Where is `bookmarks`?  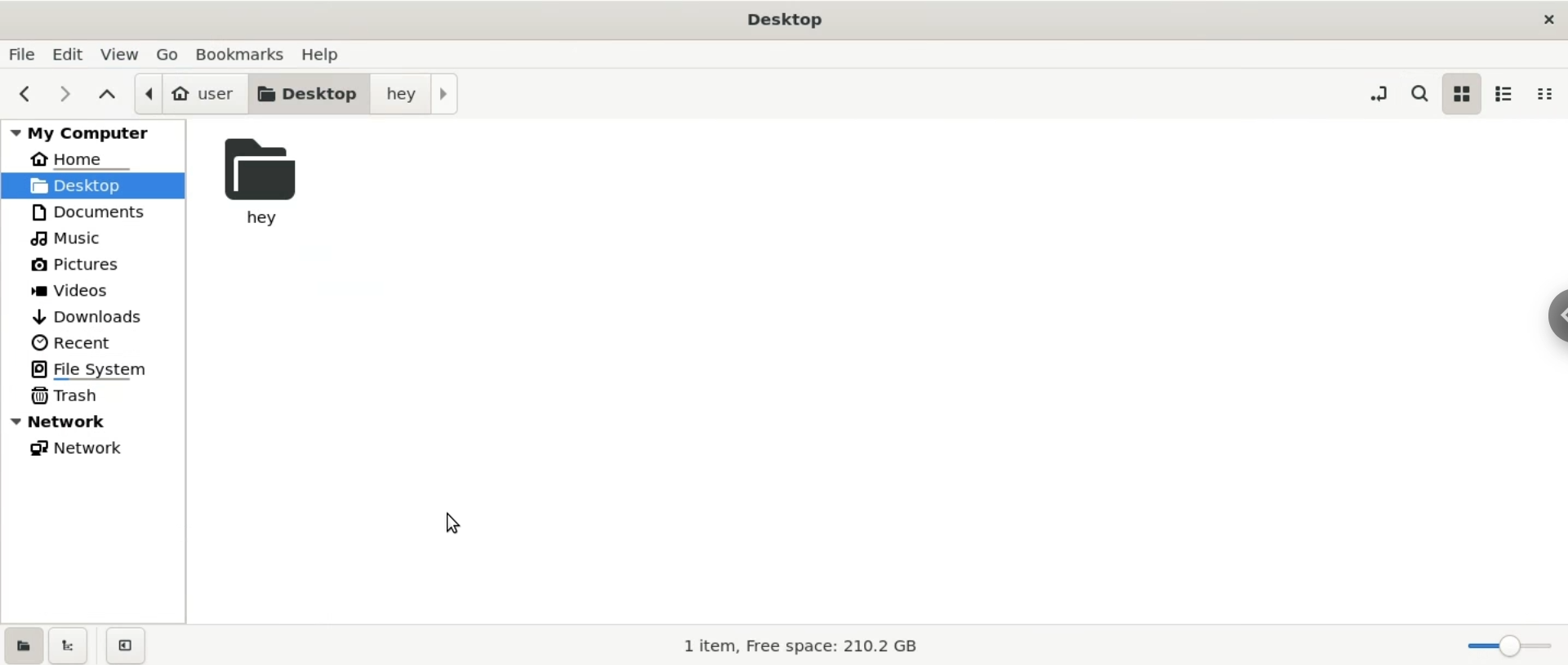 bookmarks is located at coordinates (242, 53).